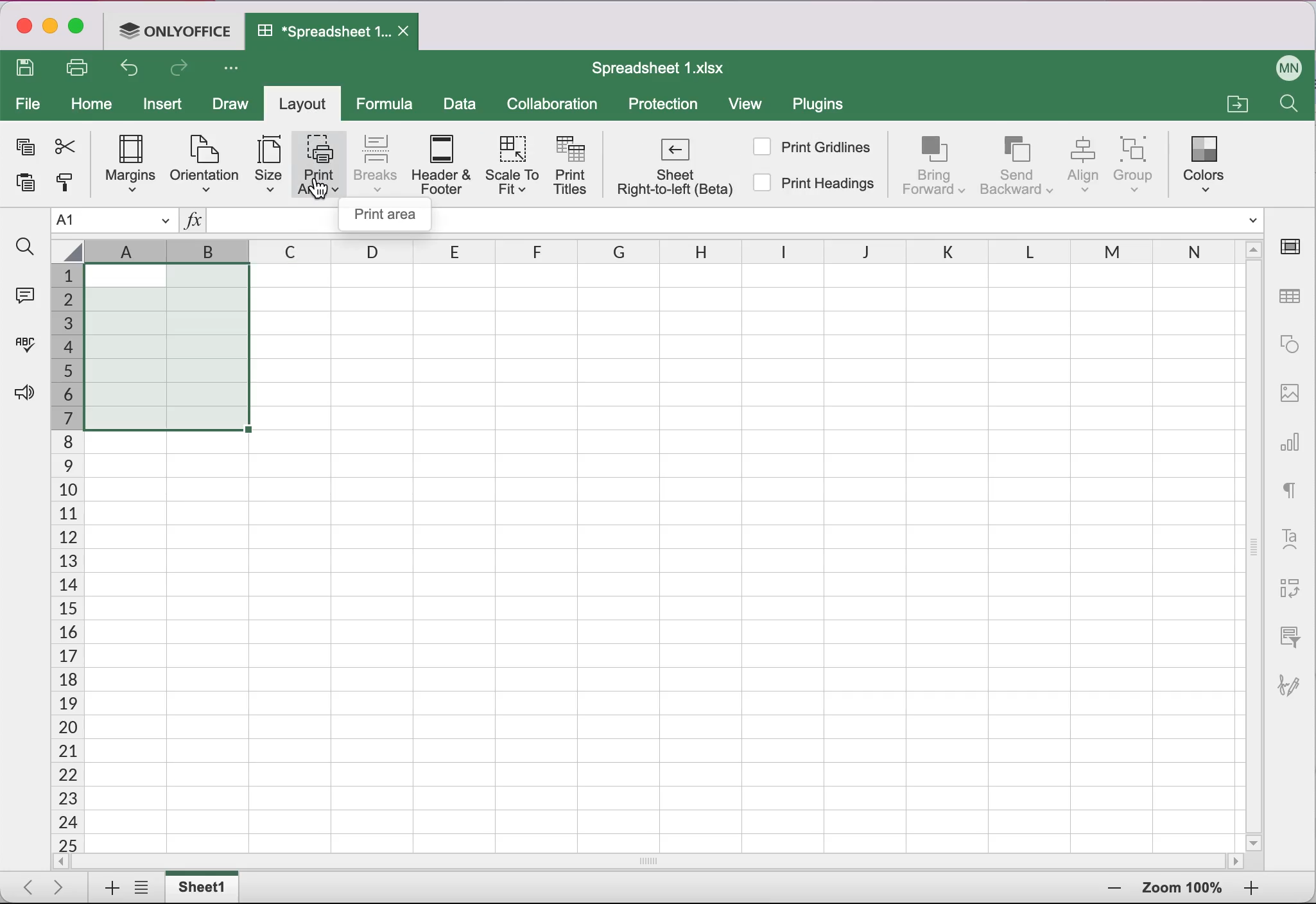 Image resolution: width=1316 pixels, height=904 pixels. I want to click on zoom out, so click(1251, 889).